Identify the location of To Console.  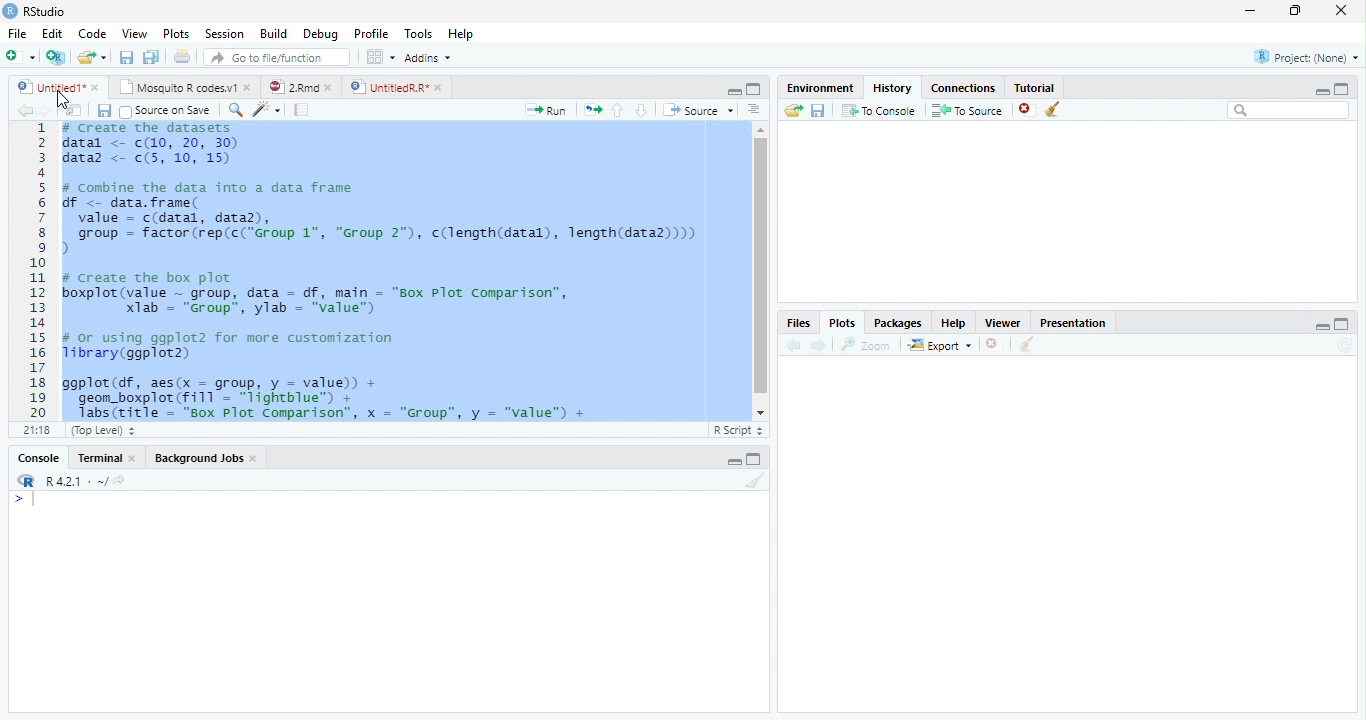
(880, 110).